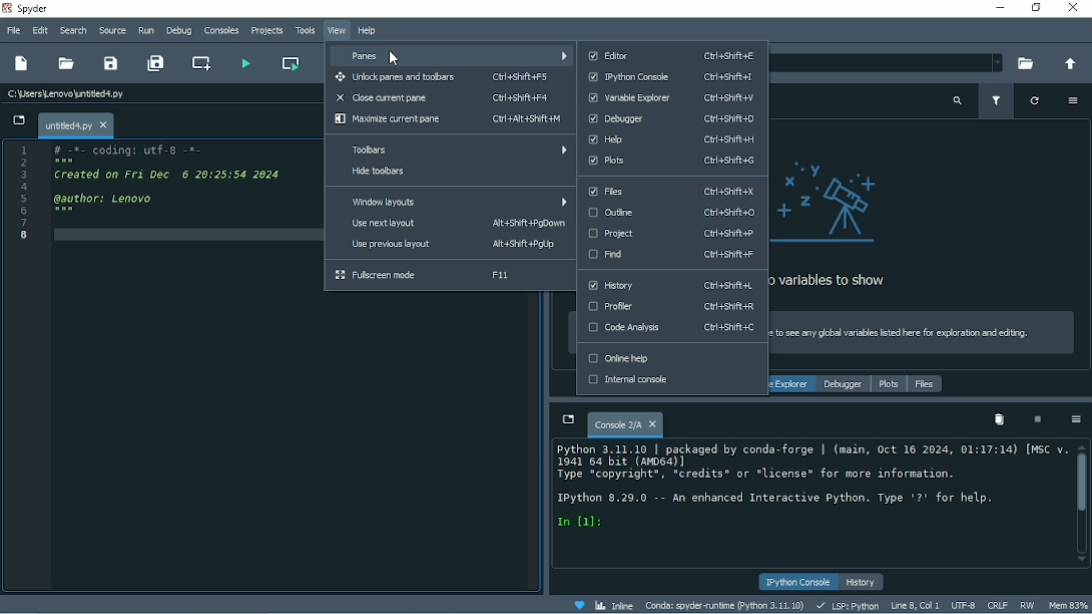  What do you see at coordinates (16, 122) in the screenshot?
I see `Browse tabs` at bounding box center [16, 122].